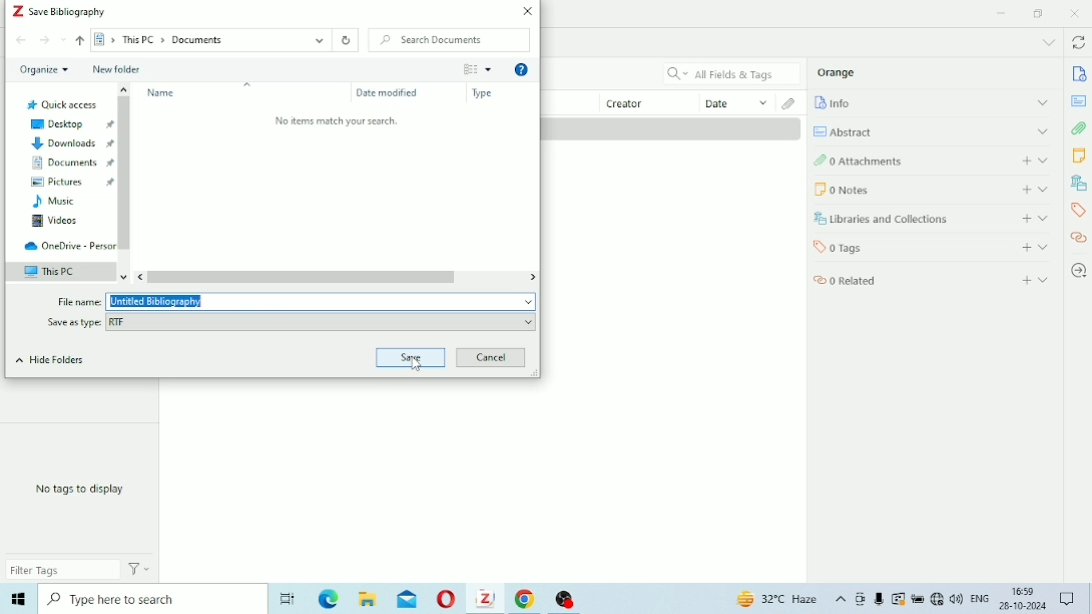  What do you see at coordinates (1079, 211) in the screenshot?
I see `Tags` at bounding box center [1079, 211].